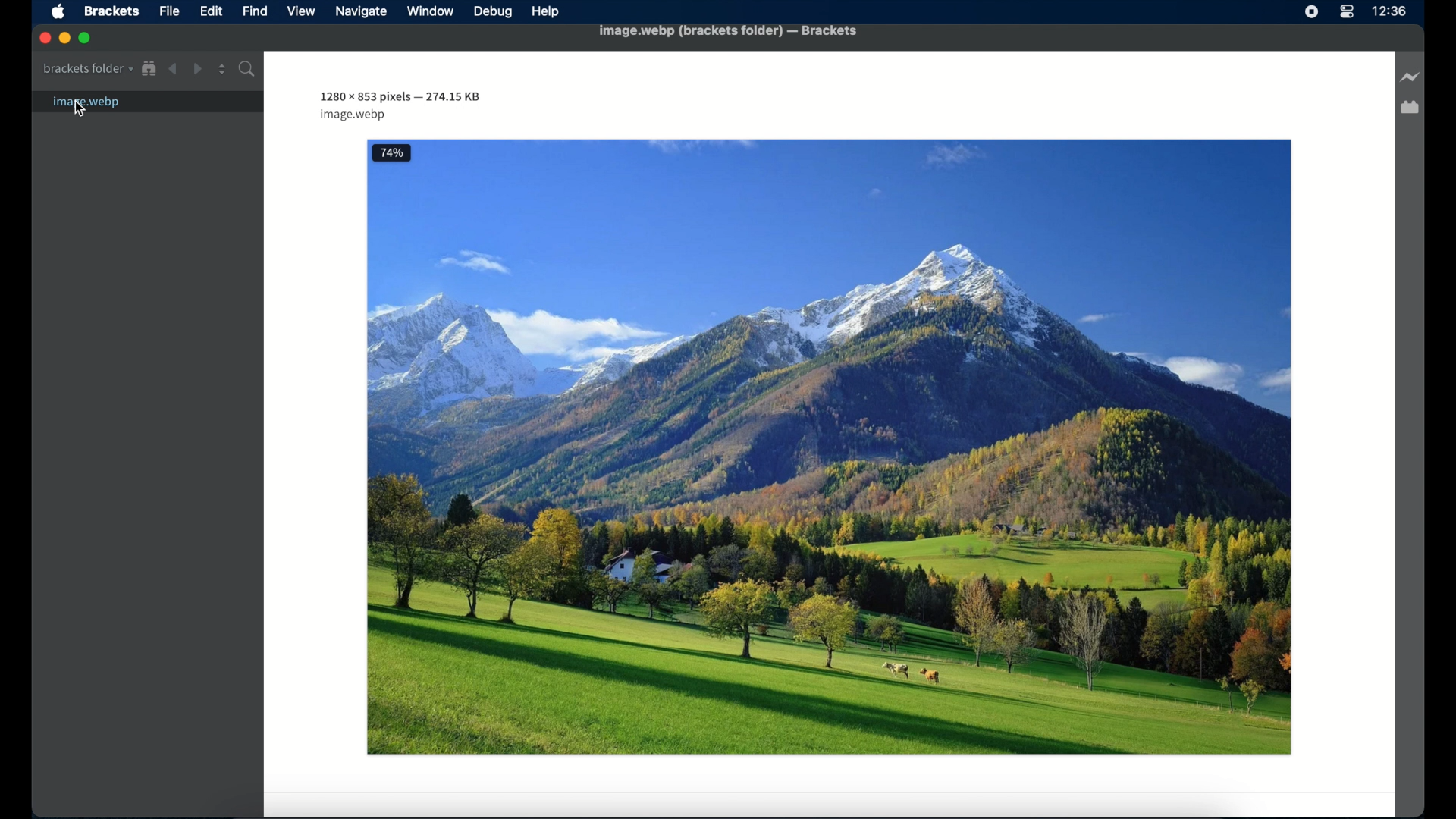 The width and height of the screenshot is (1456, 819). I want to click on time, so click(1389, 11).